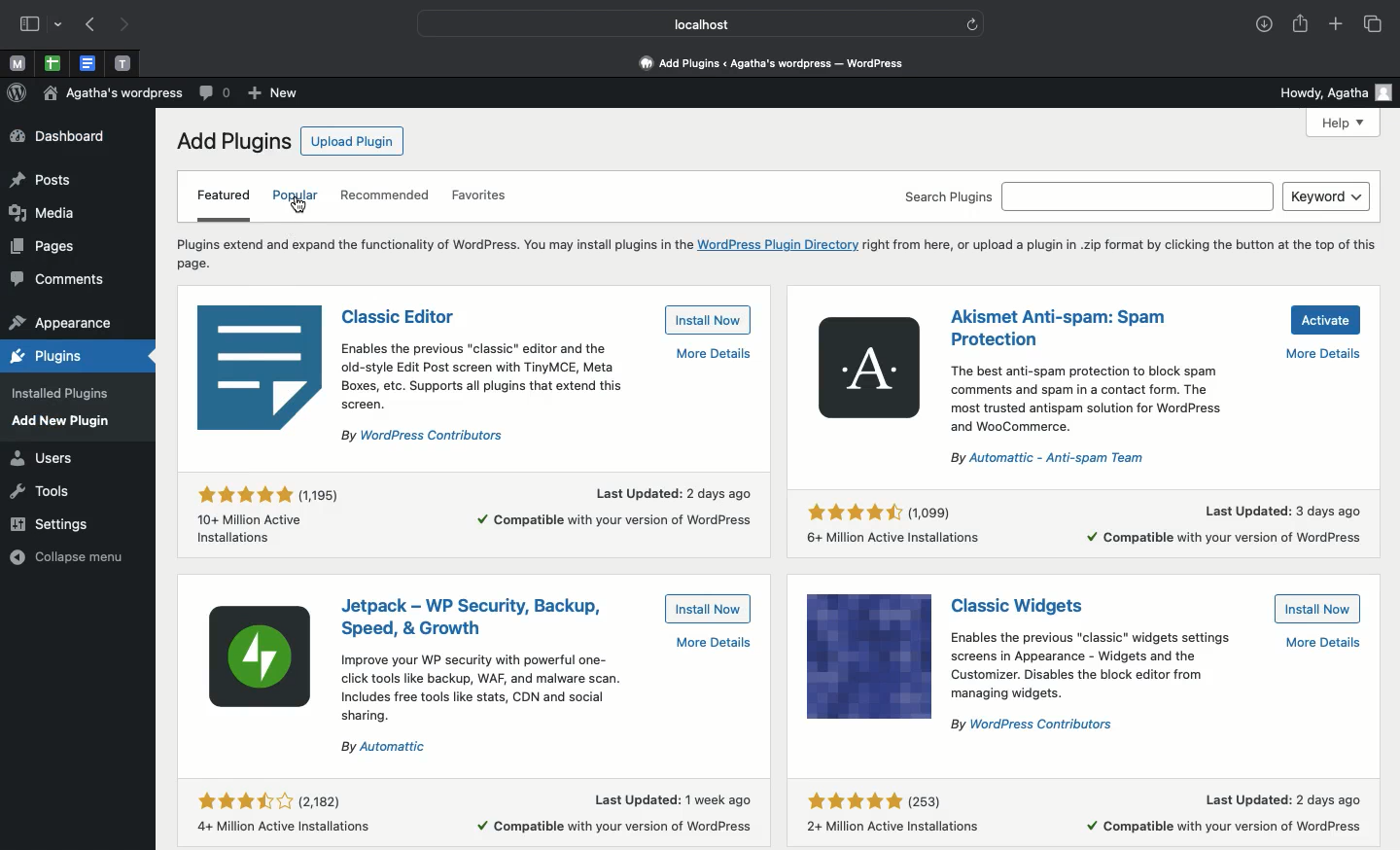 The width and height of the screenshot is (1400, 850). What do you see at coordinates (44, 213) in the screenshot?
I see `media` at bounding box center [44, 213].